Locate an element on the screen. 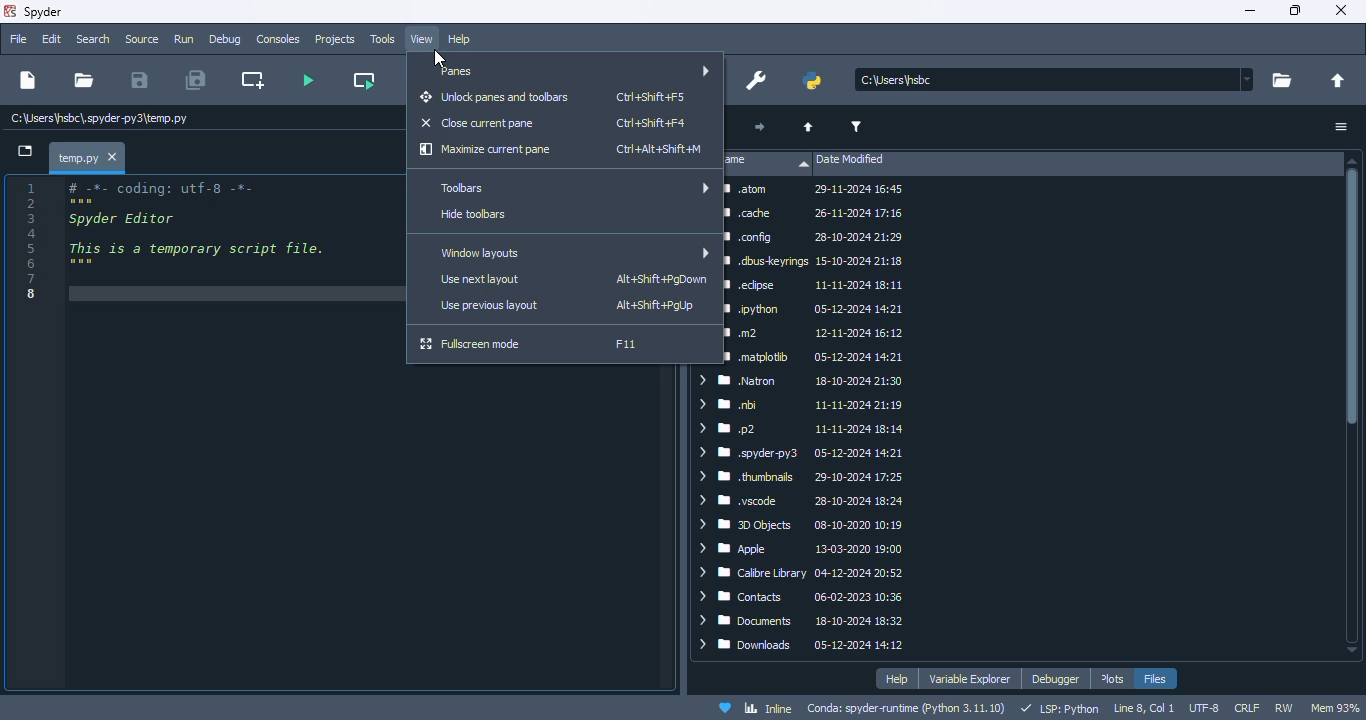  tools is located at coordinates (382, 39).